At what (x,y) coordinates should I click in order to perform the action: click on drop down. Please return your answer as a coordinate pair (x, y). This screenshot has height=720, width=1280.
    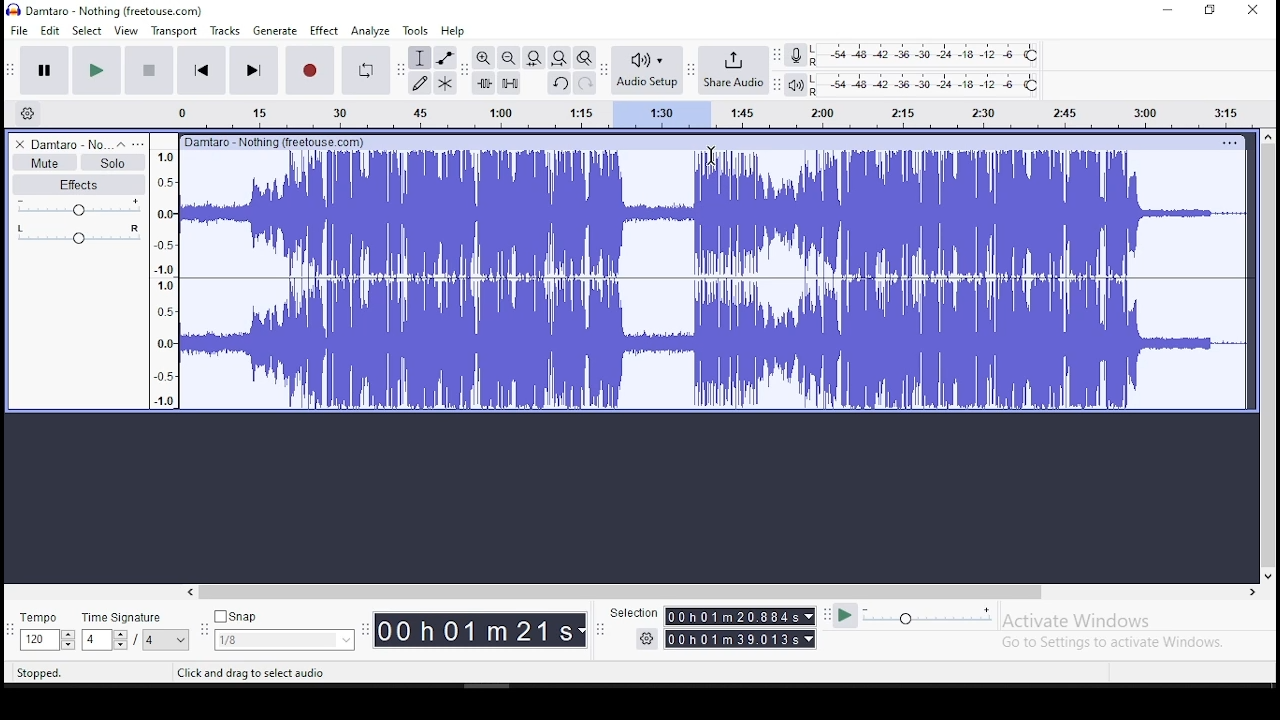
    Looking at the image, I should click on (583, 631).